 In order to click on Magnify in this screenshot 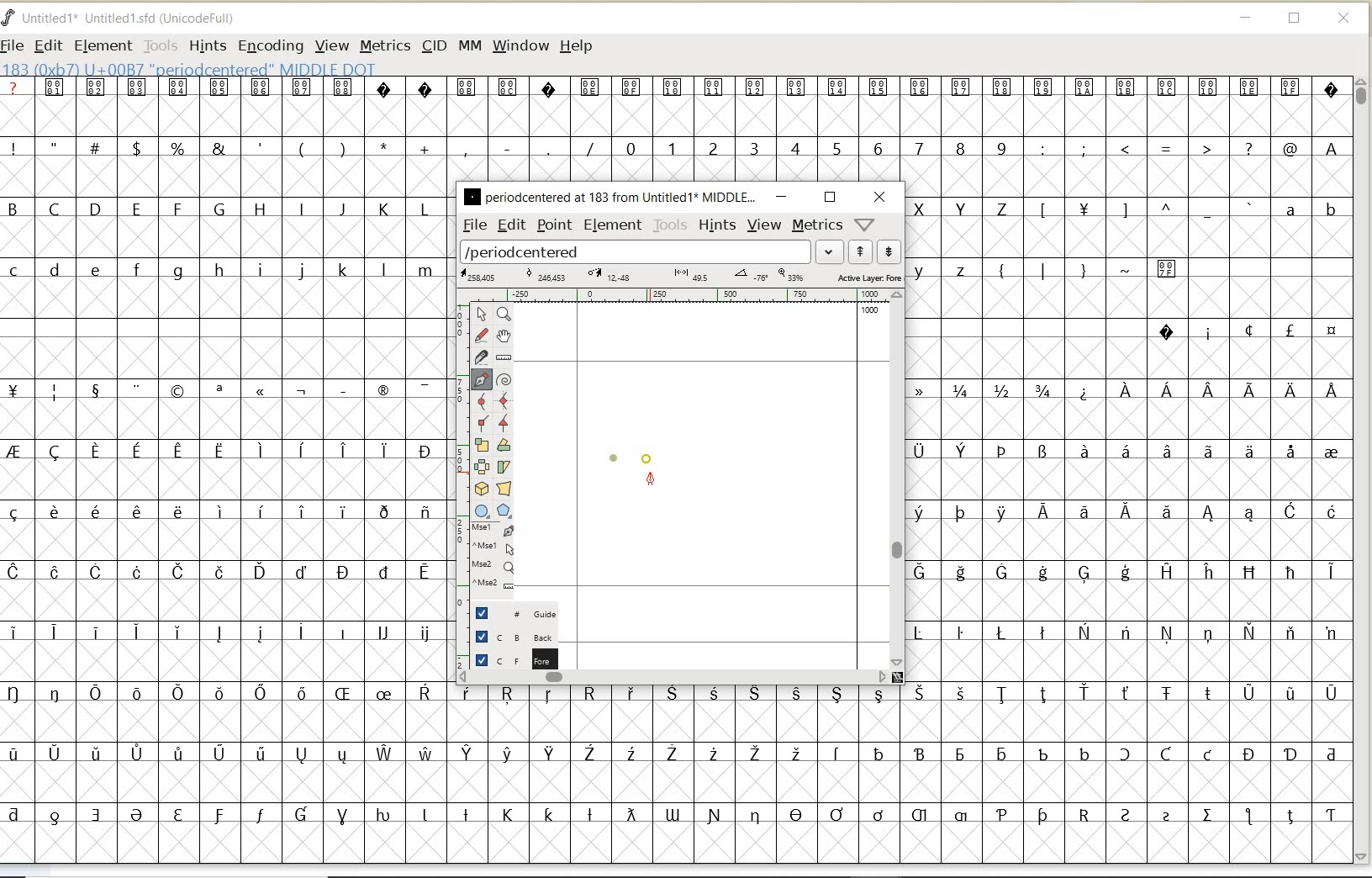, I will do `click(504, 315)`.